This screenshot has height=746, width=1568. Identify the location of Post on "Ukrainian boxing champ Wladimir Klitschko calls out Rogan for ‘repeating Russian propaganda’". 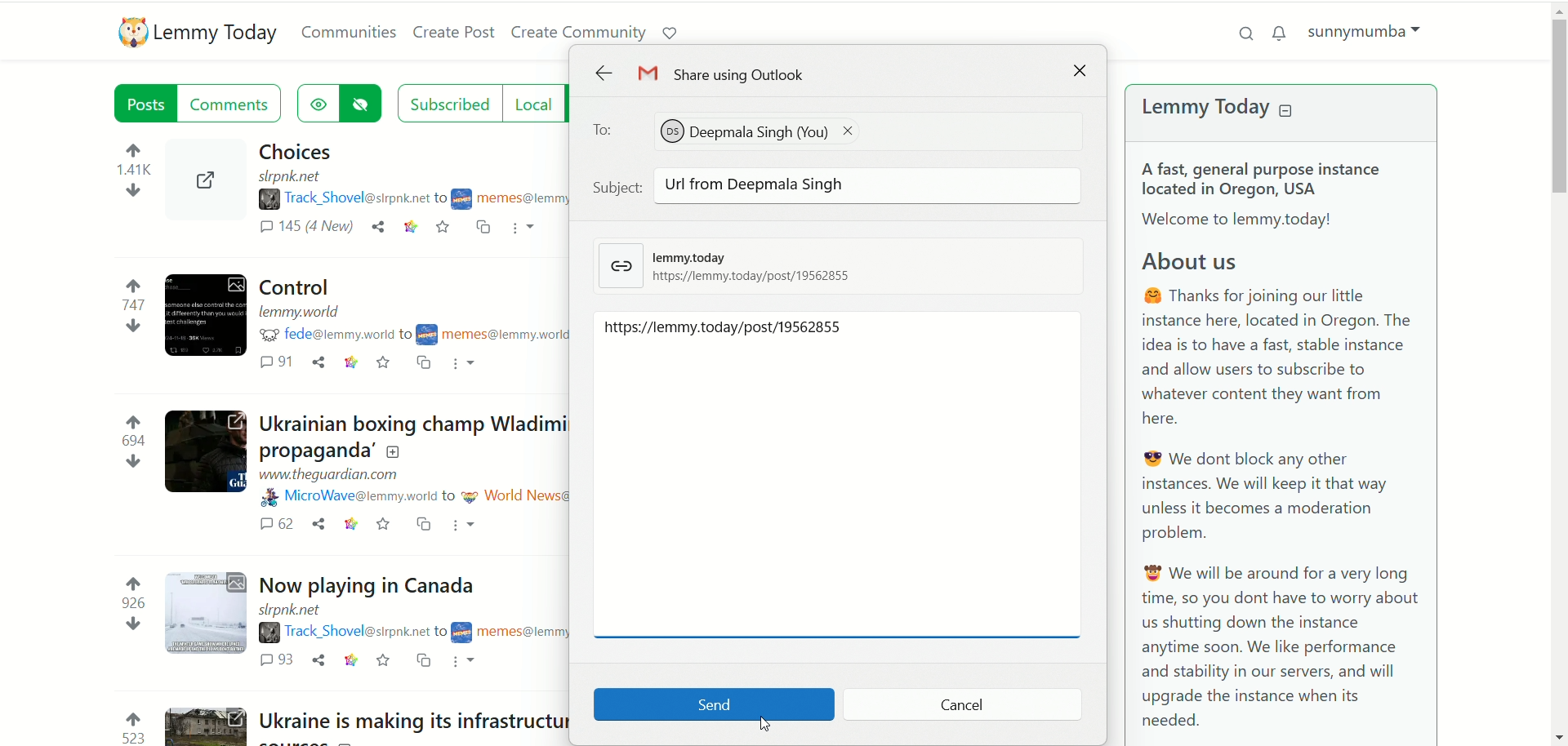
(416, 438).